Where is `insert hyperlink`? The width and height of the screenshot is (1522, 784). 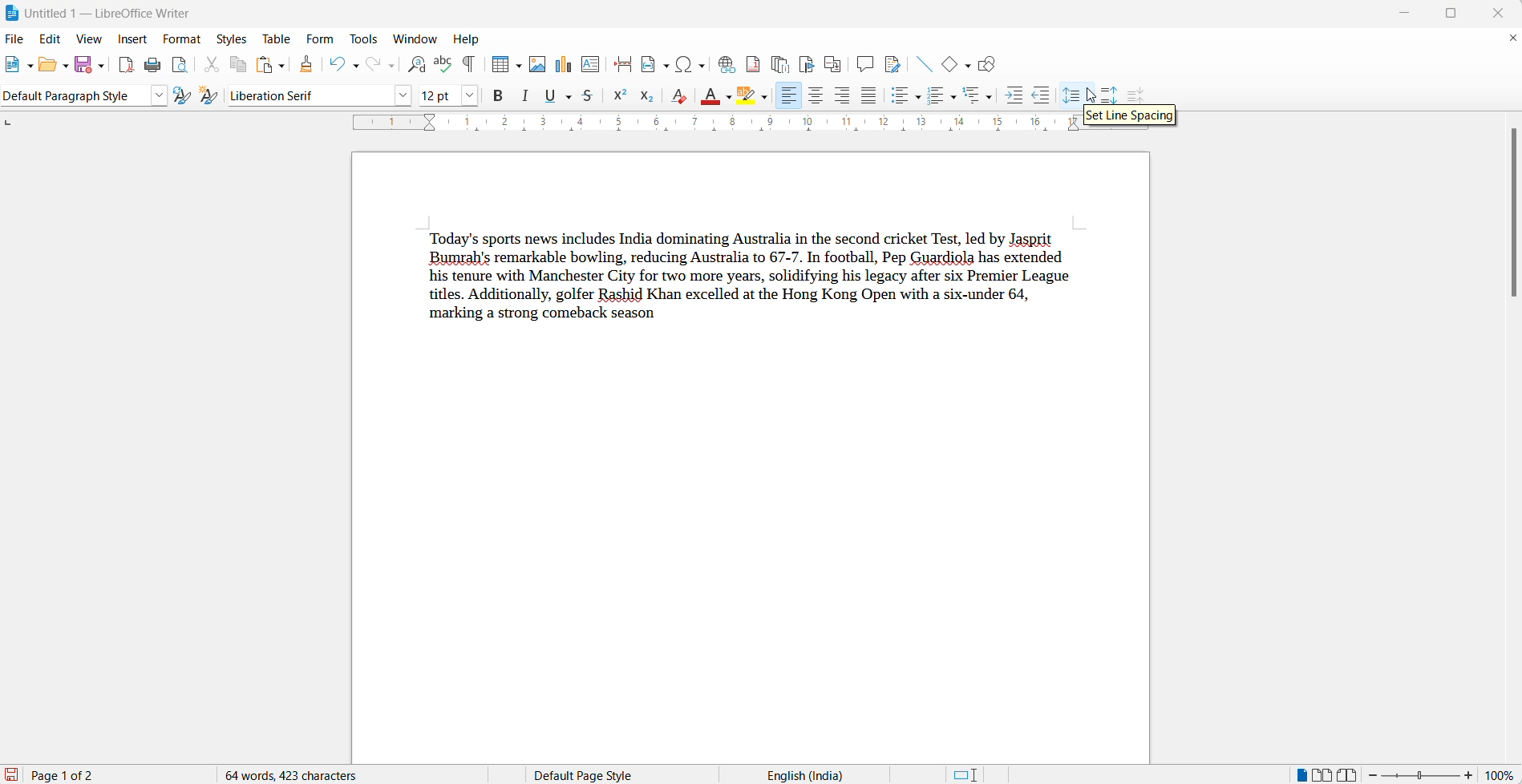 insert hyperlink is located at coordinates (689, 64).